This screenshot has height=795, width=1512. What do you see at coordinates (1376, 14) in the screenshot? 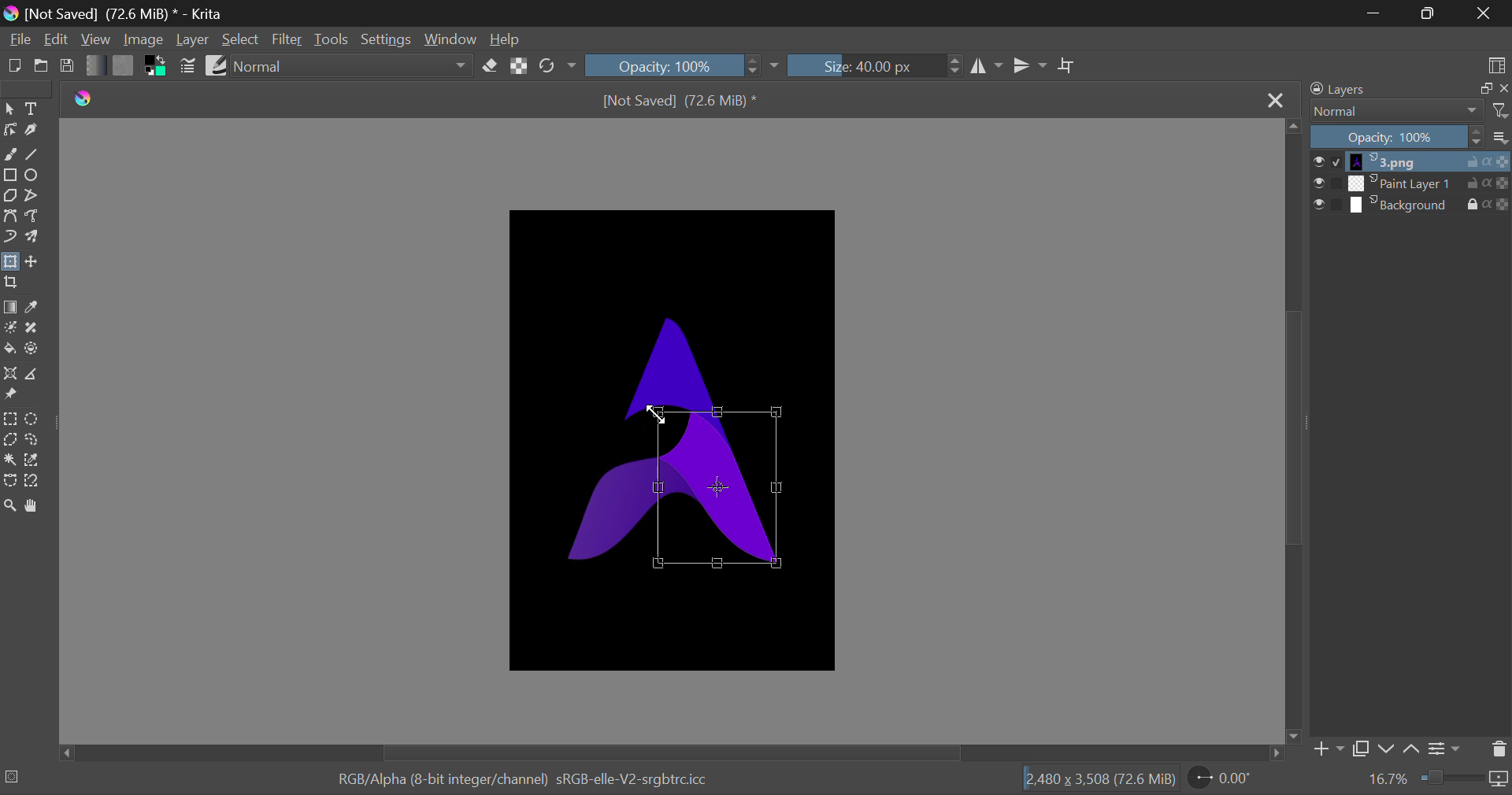
I see `Restore Down` at bounding box center [1376, 14].